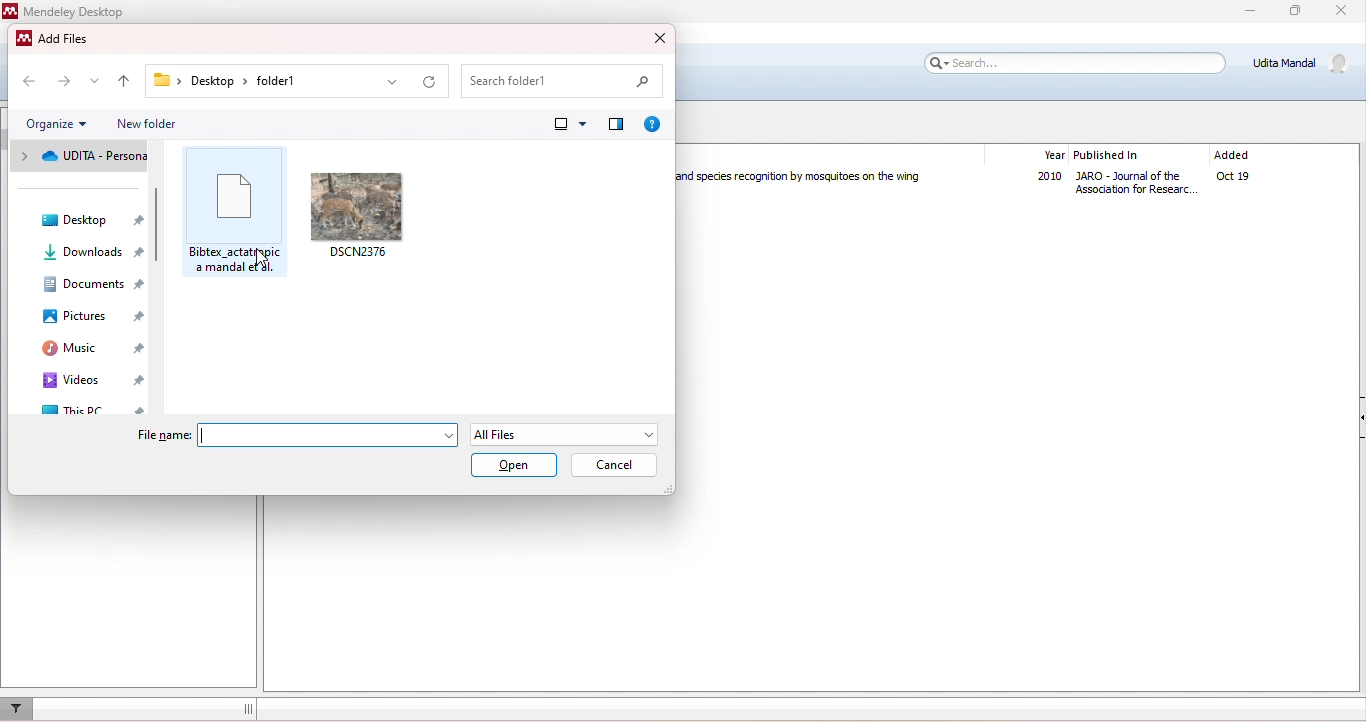 The height and width of the screenshot is (722, 1366). What do you see at coordinates (248, 709) in the screenshot?
I see `dragging line` at bounding box center [248, 709].